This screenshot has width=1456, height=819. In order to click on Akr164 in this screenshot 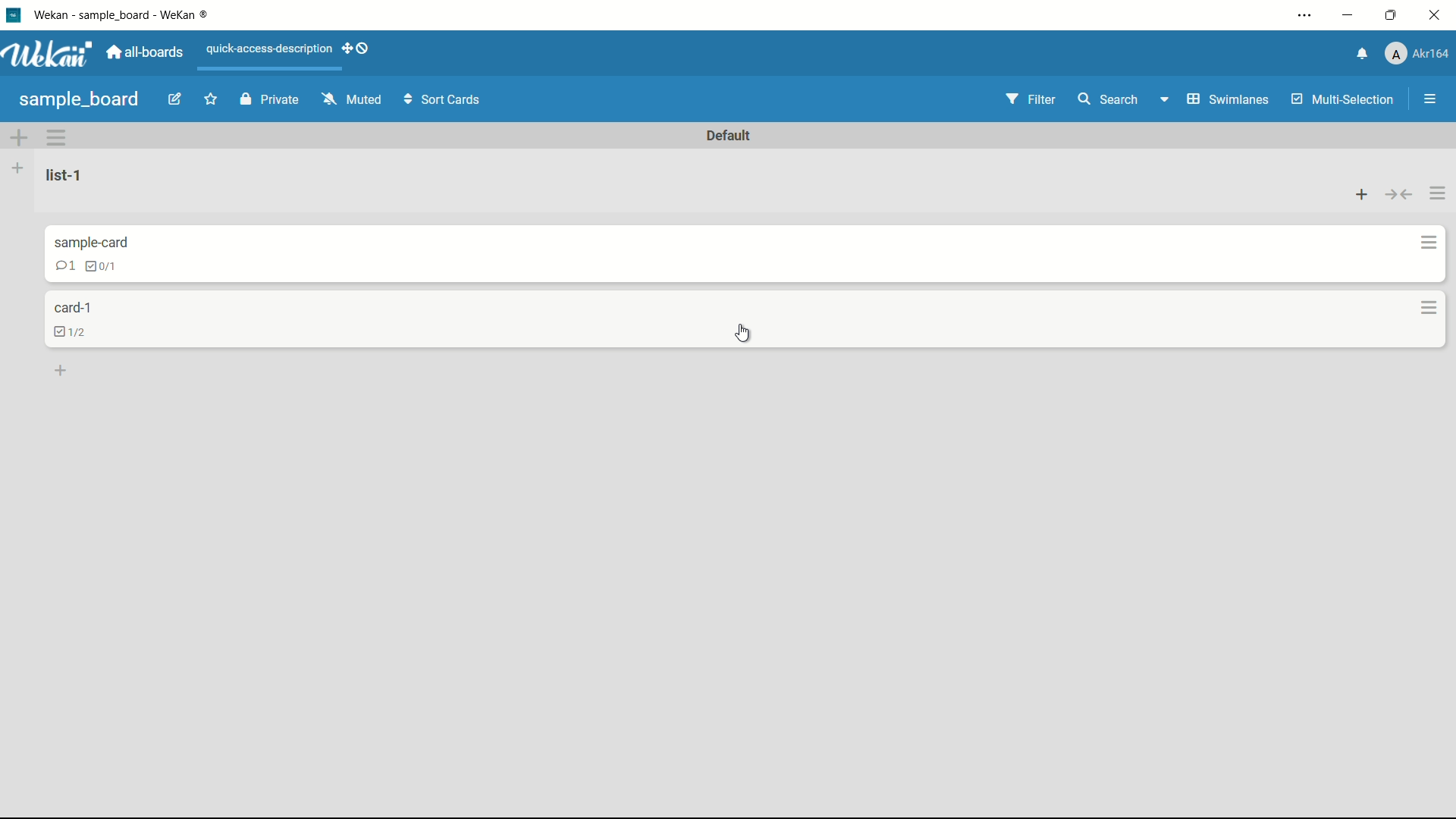, I will do `click(1414, 54)`.